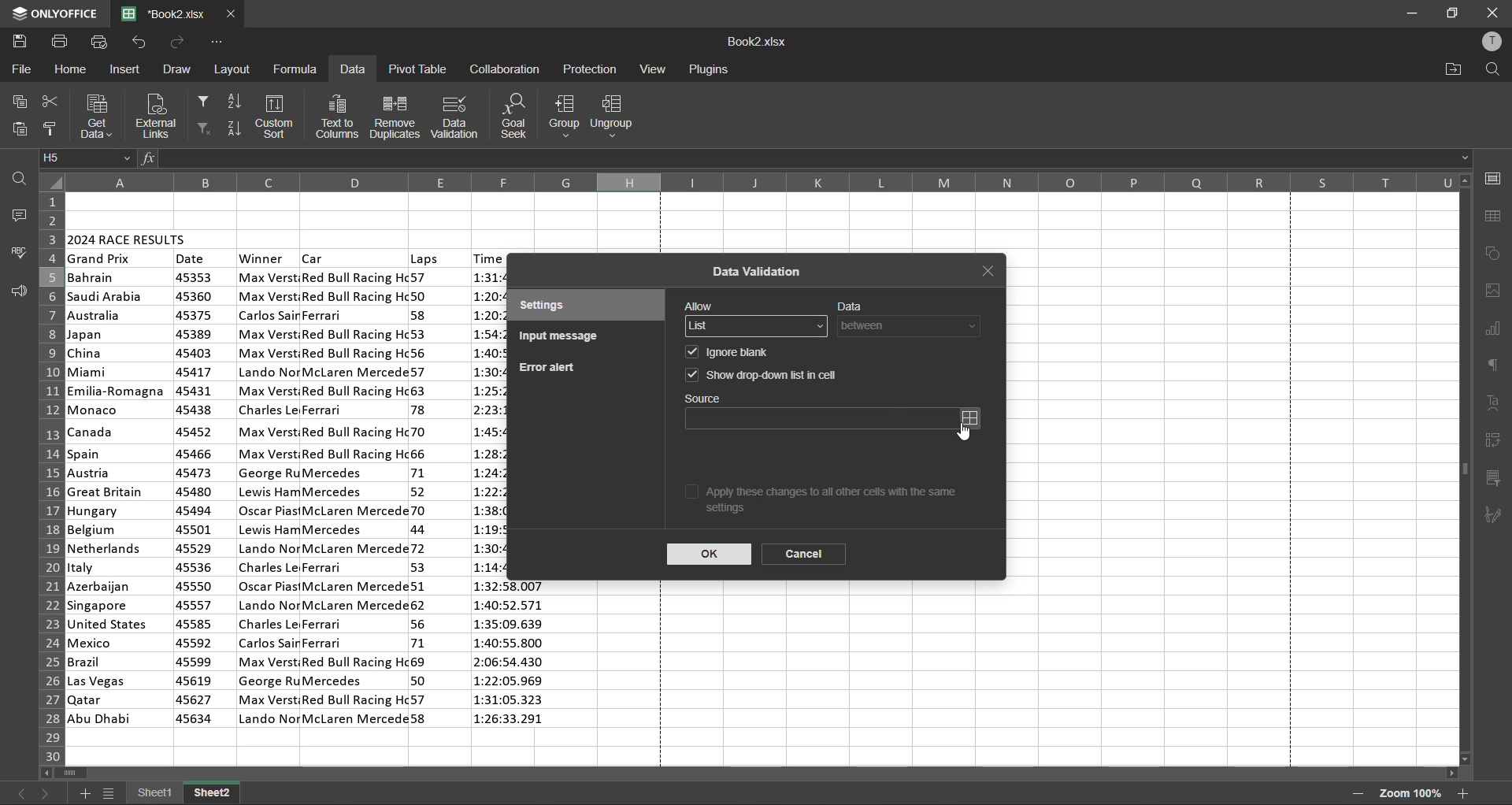  I want to click on view, so click(652, 69).